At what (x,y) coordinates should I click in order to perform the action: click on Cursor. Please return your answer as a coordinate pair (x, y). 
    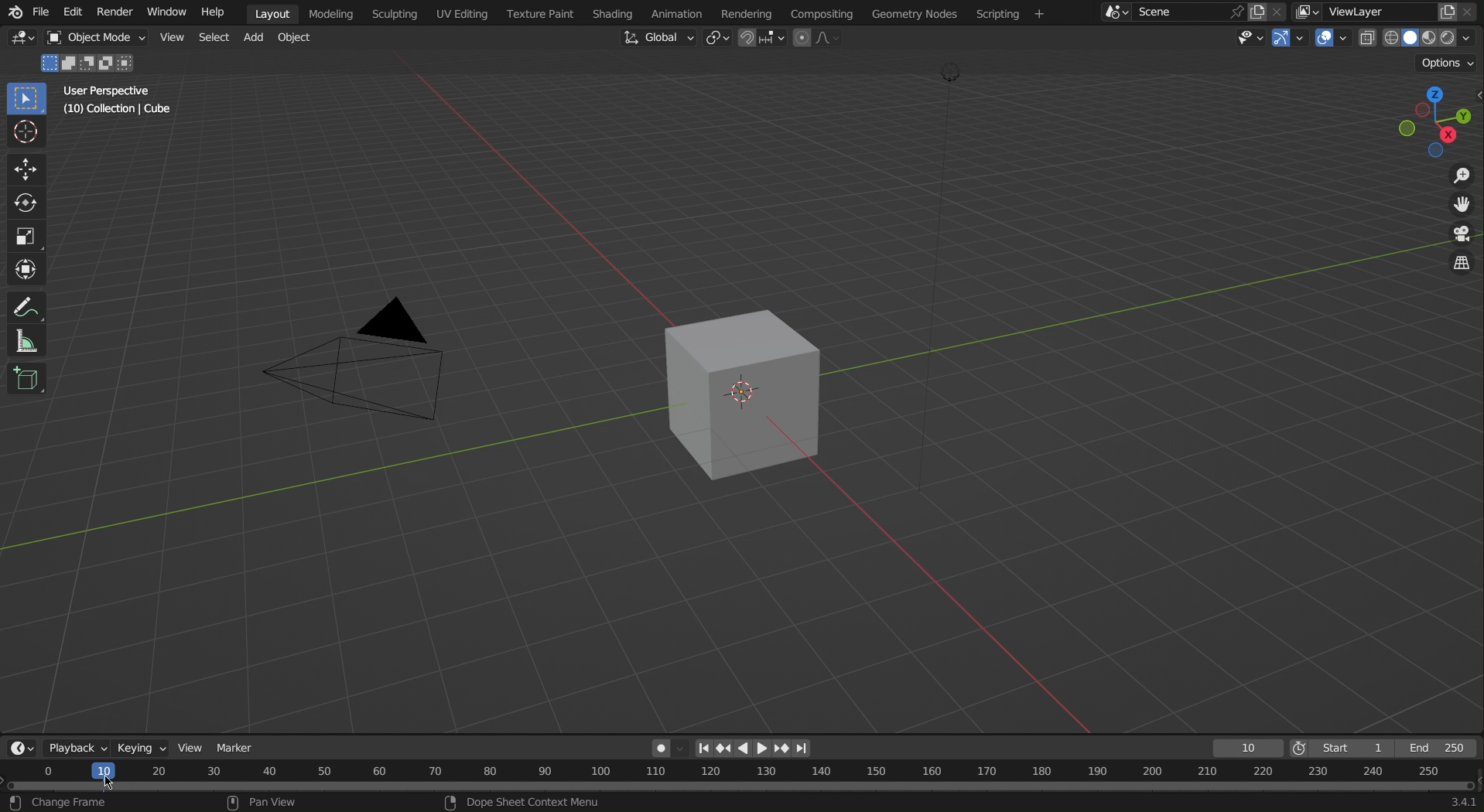
    Looking at the image, I should click on (27, 131).